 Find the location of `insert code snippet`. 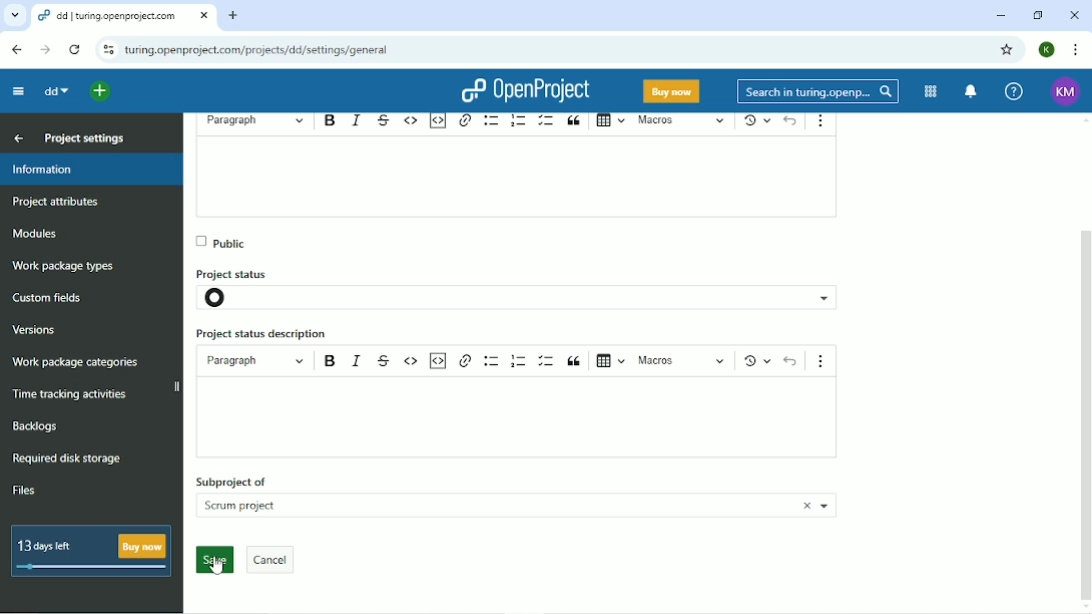

insert code snippet is located at coordinates (437, 358).